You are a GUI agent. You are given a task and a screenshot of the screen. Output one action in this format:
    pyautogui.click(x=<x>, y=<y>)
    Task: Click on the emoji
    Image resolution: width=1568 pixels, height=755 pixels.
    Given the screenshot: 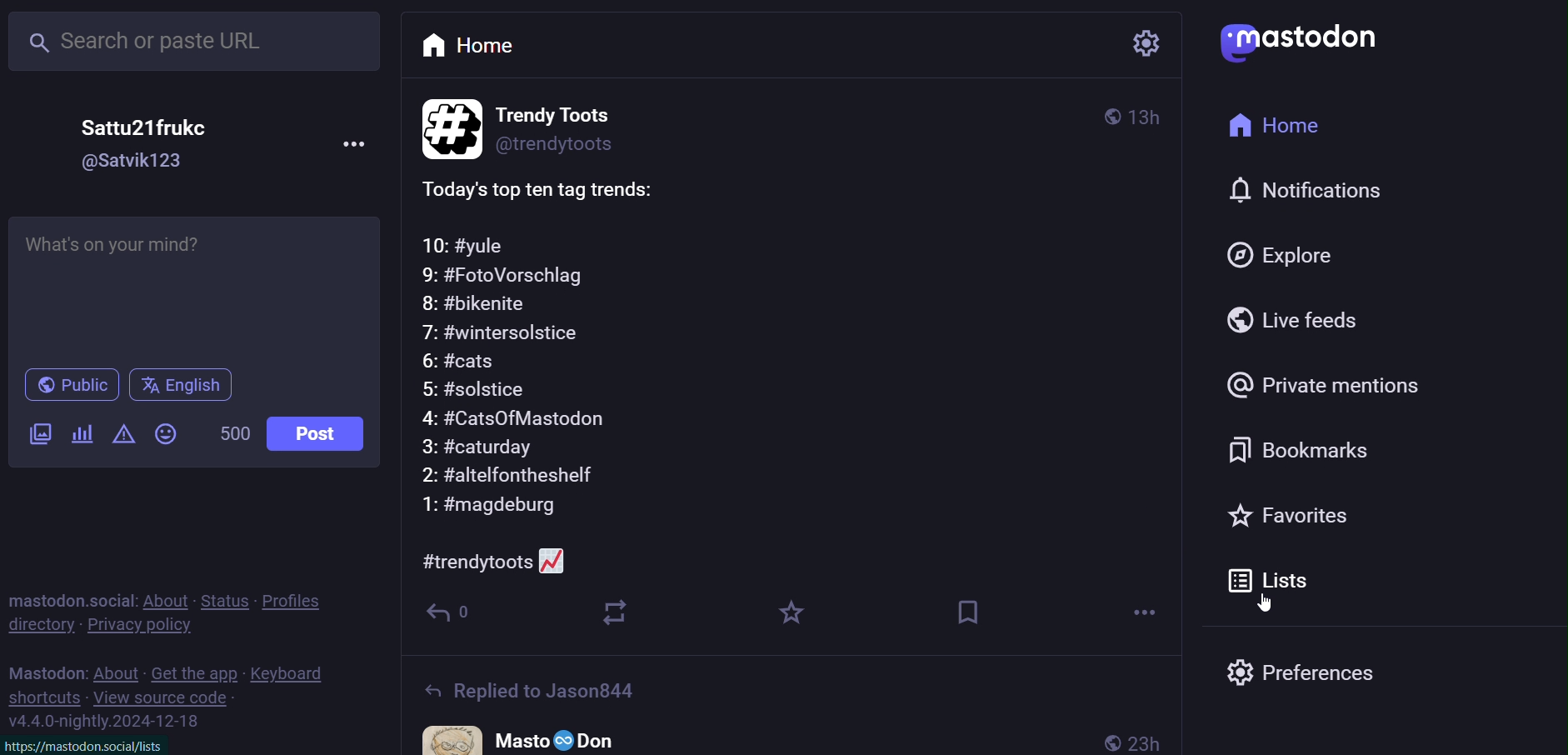 What is the action you would take?
    pyautogui.click(x=165, y=433)
    